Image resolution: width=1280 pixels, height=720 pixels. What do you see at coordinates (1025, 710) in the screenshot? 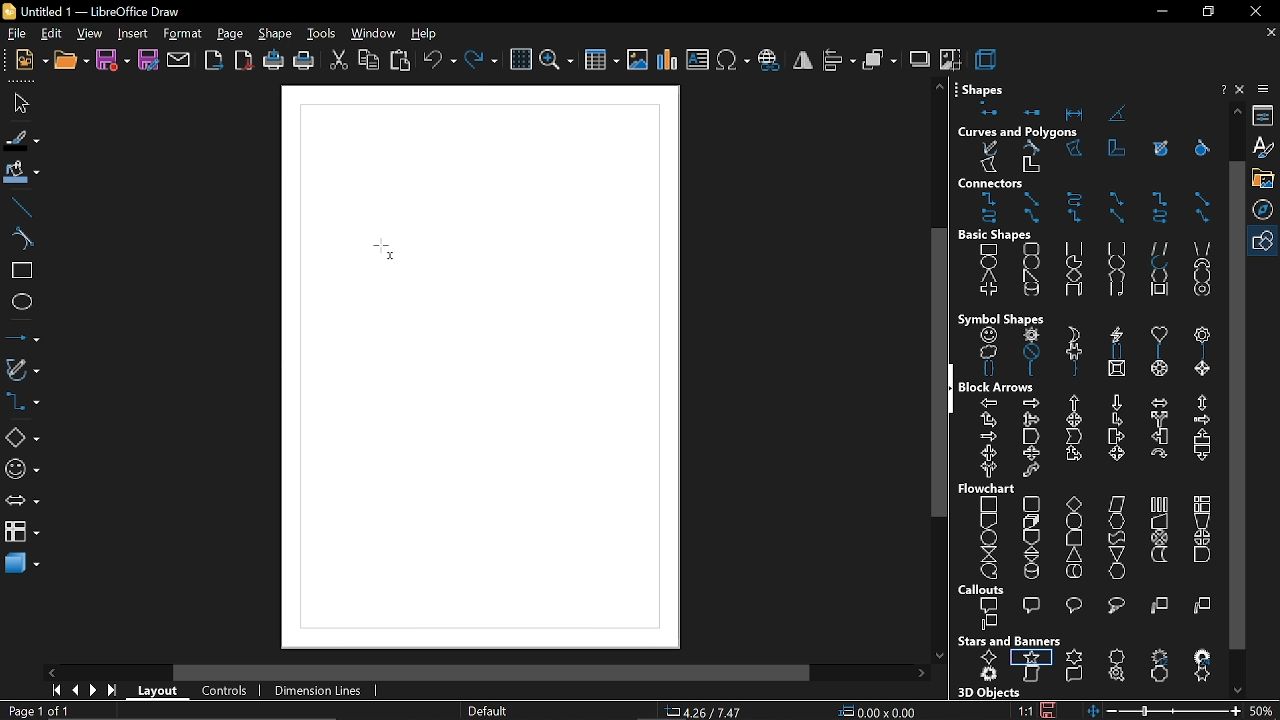
I see `scaling factor` at bounding box center [1025, 710].